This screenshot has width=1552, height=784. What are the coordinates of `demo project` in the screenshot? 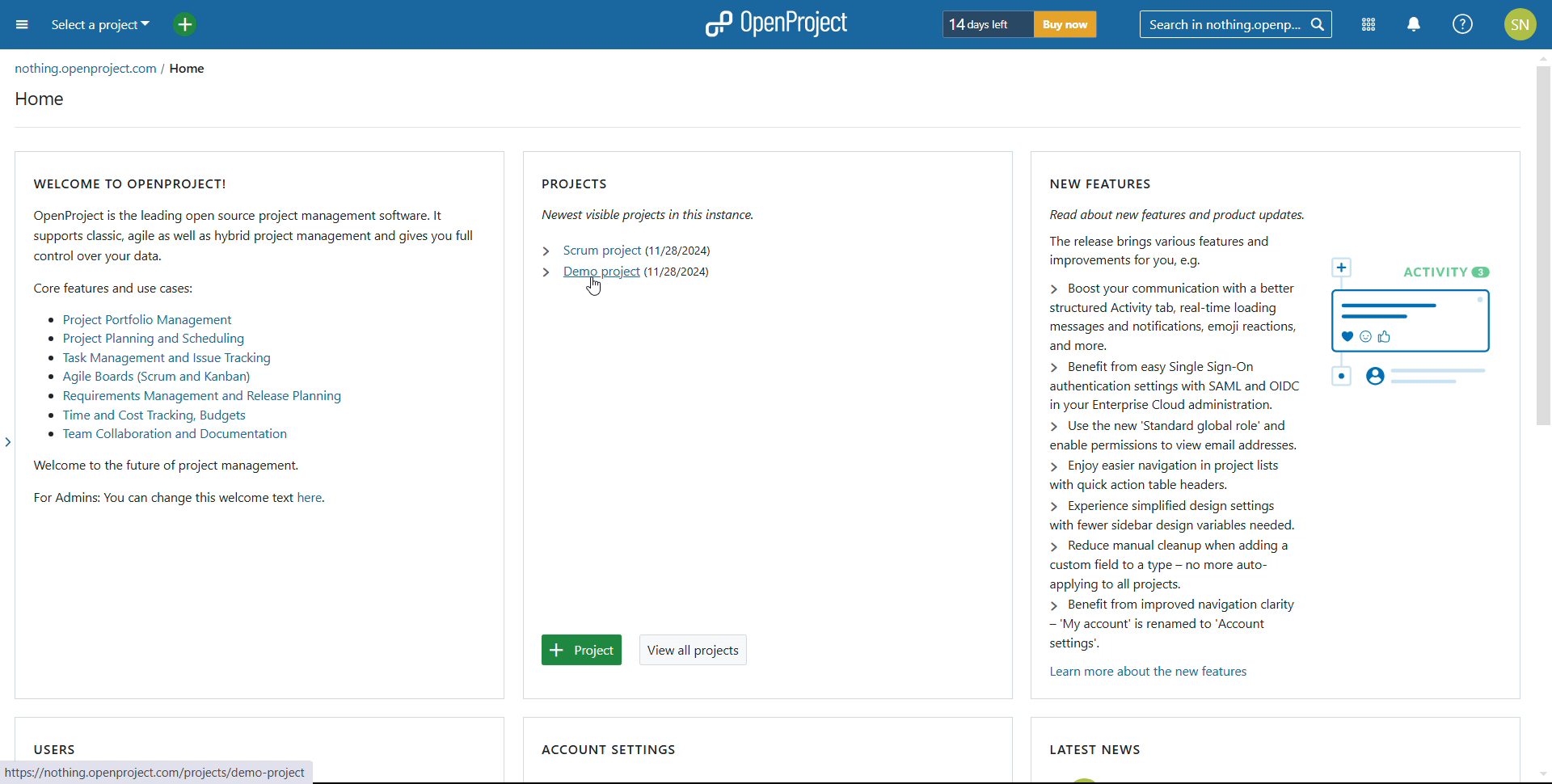 It's located at (601, 272).